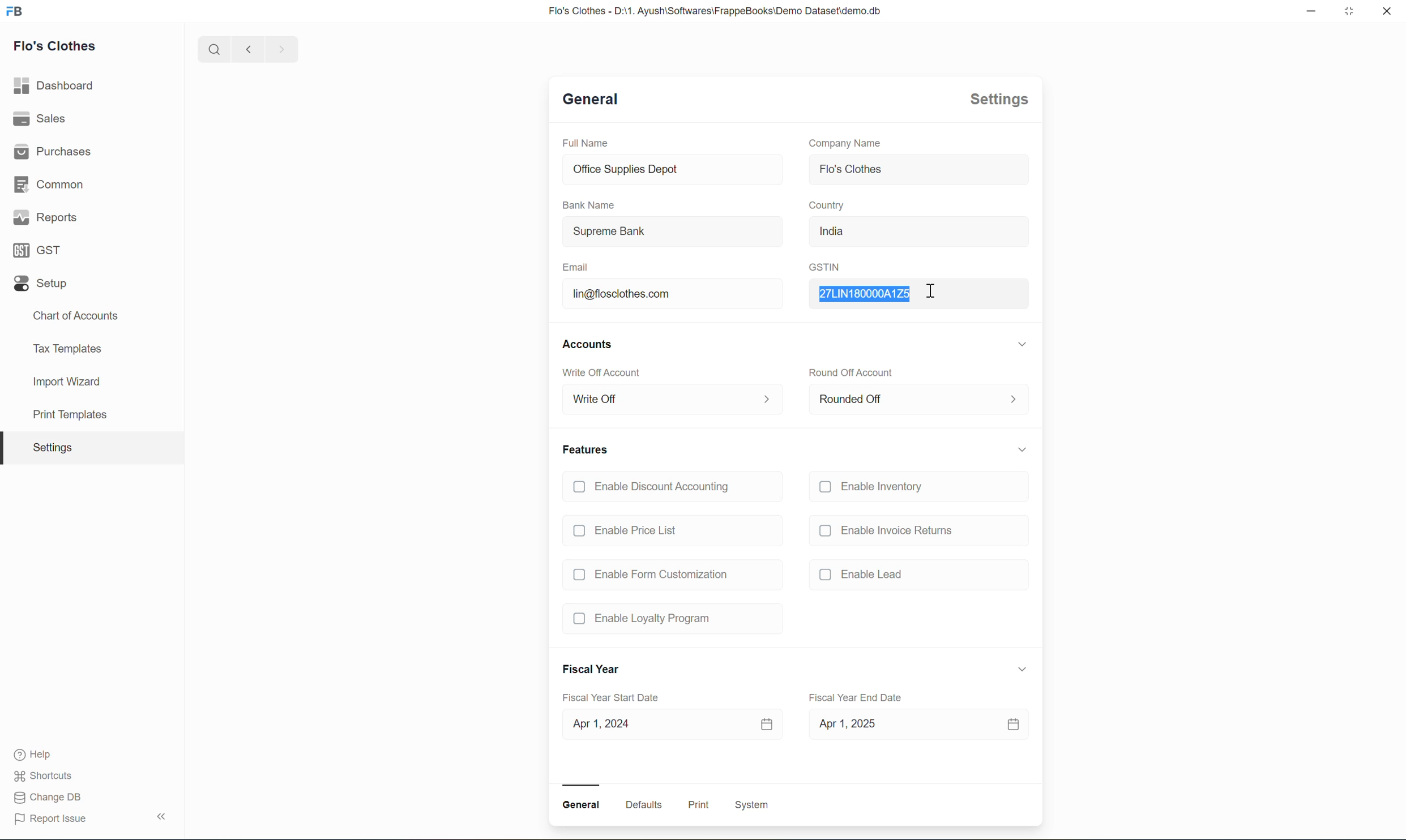 This screenshot has height=840, width=1406. Describe the element at coordinates (588, 204) in the screenshot. I see `Bank Name` at that location.